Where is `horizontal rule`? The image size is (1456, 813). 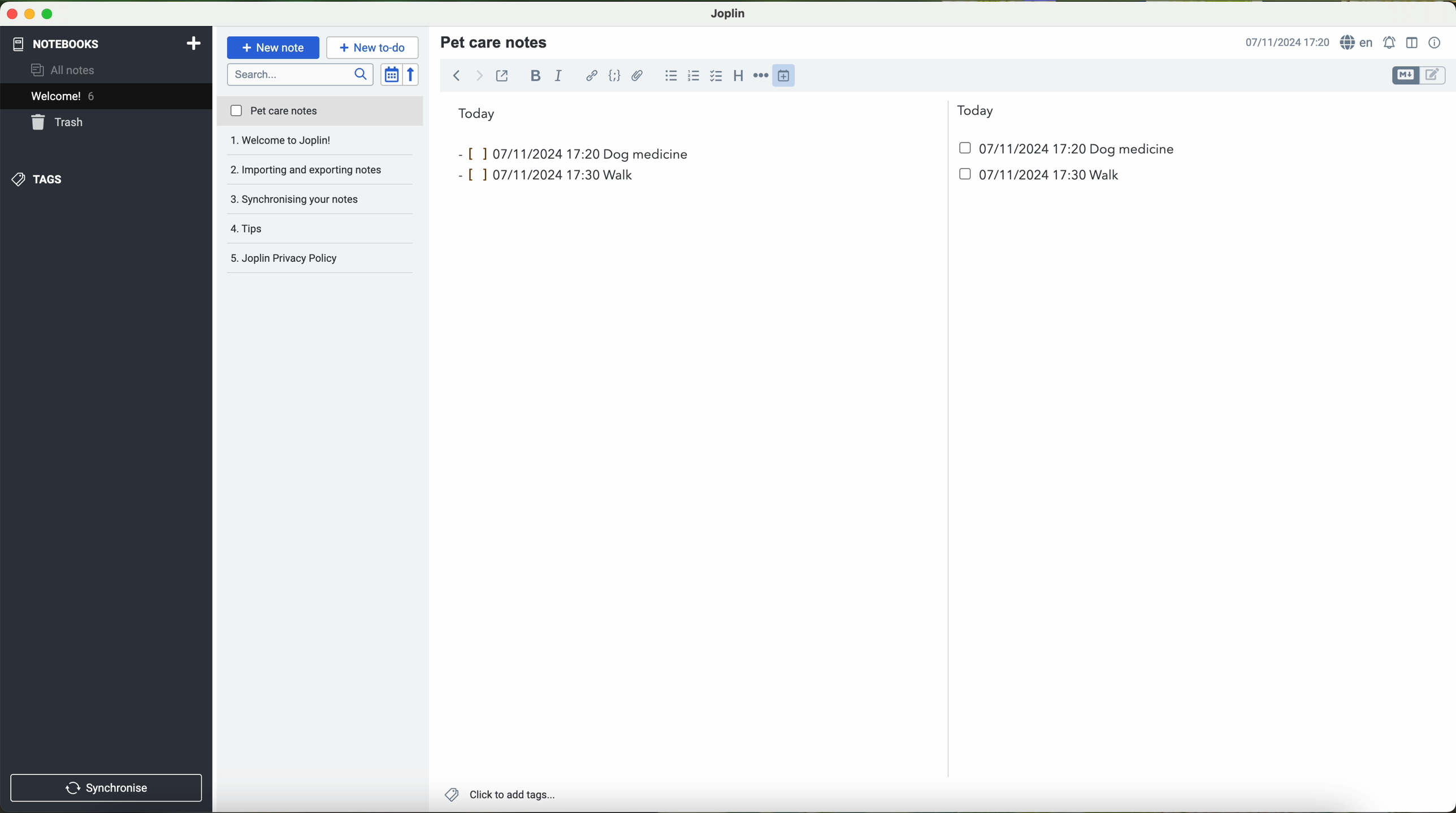 horizontal rule is located at coordinates (763, 76).